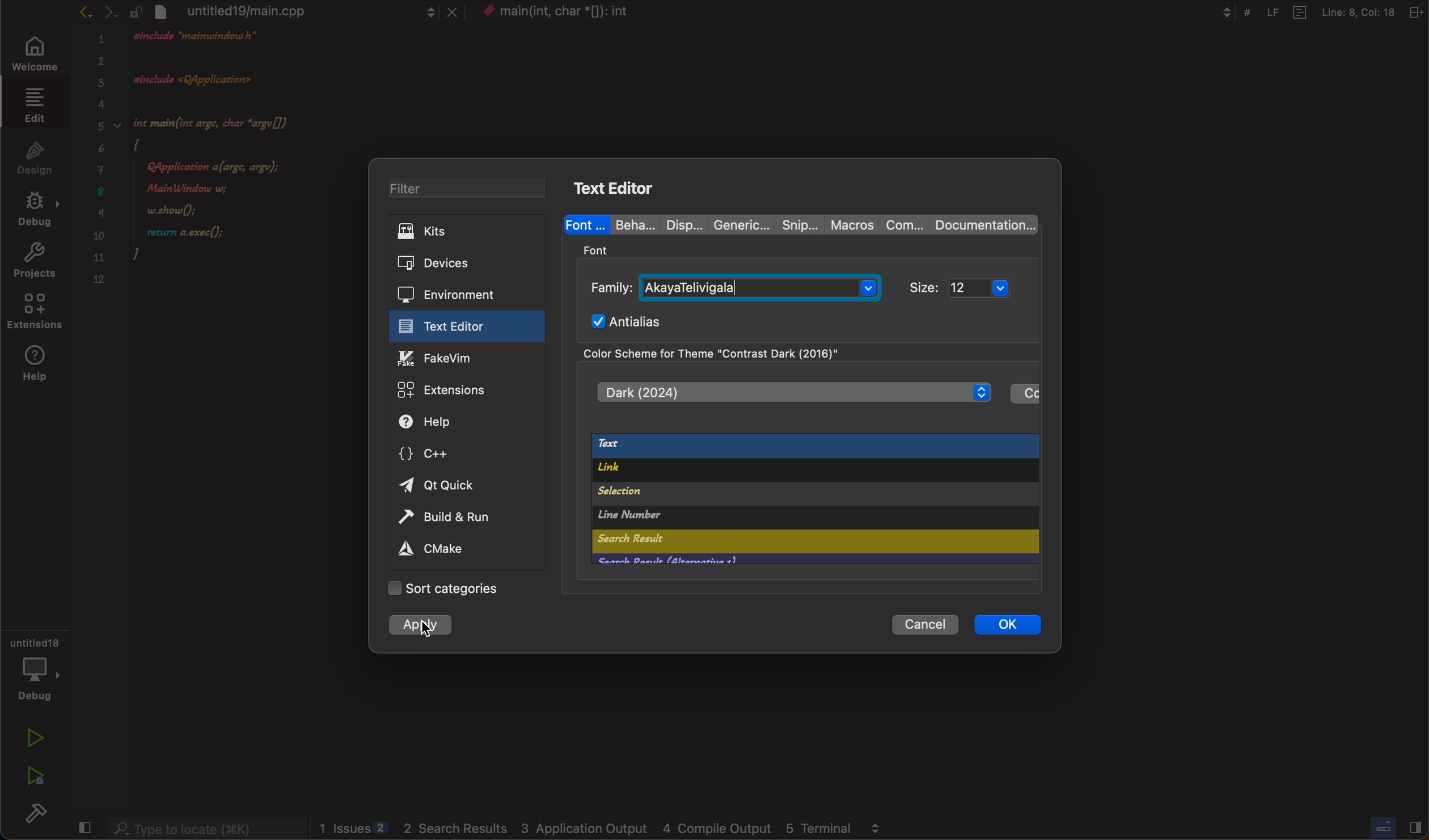 The width and height of the screenshot is (1429, 840). What do you see at coordinates (767, 494) in the screenshot?
I see `selection` at bounding box center [767, 494].